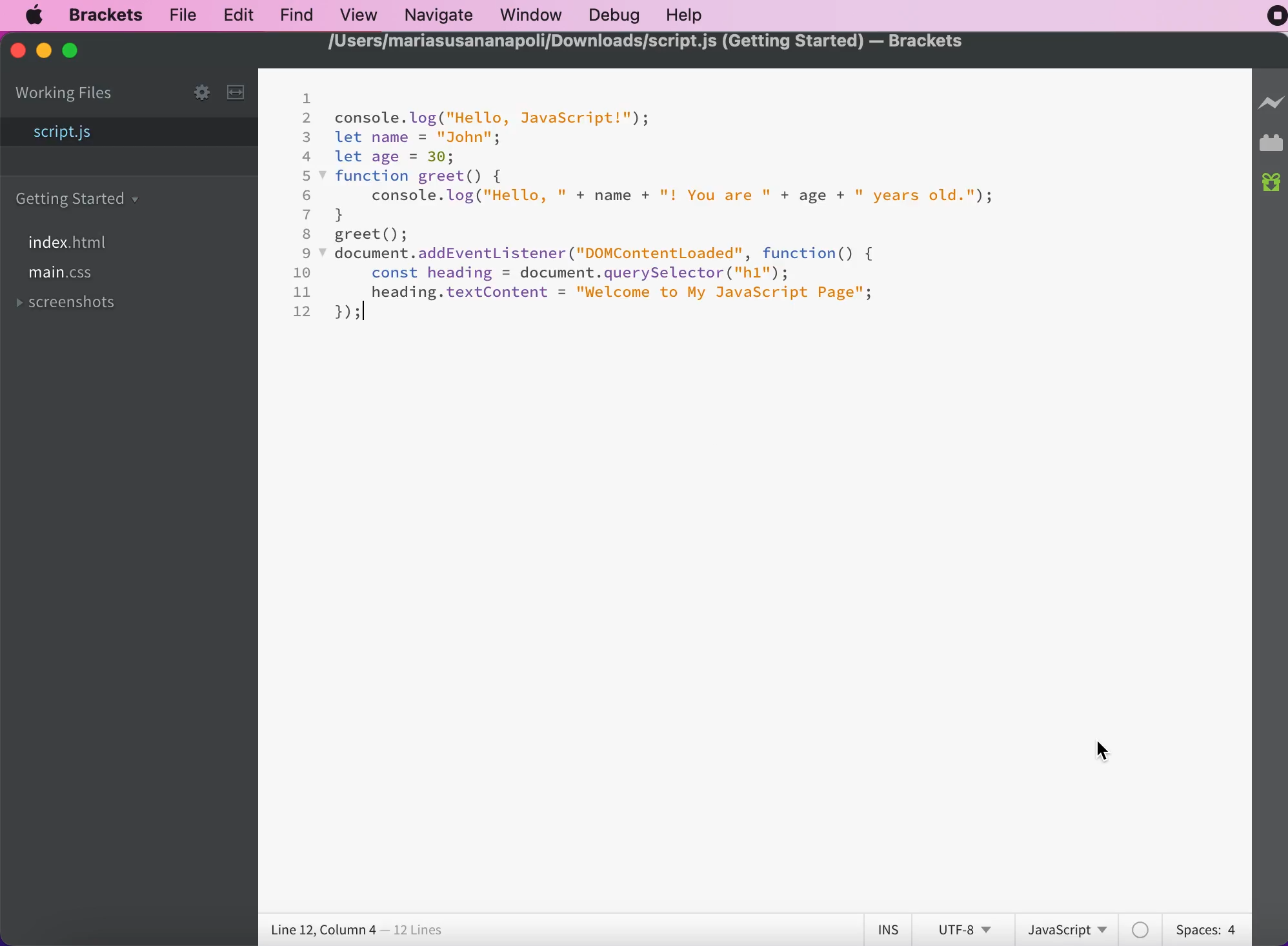  What do you see at coordinates (307, 137) in the screenshot?
I see `3` at bounding box center [307, 137].